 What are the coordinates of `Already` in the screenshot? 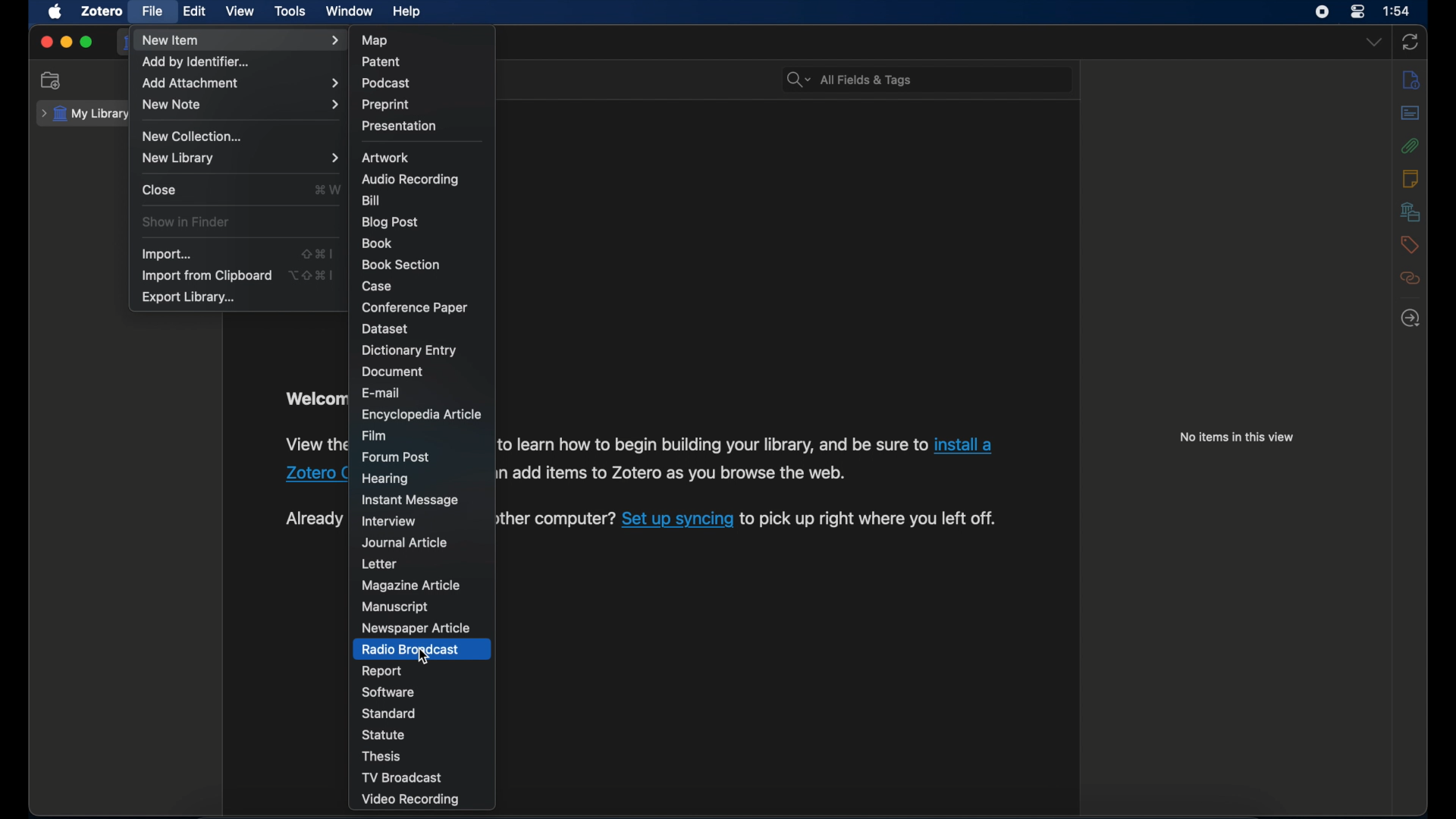 It's located at (312, 518).